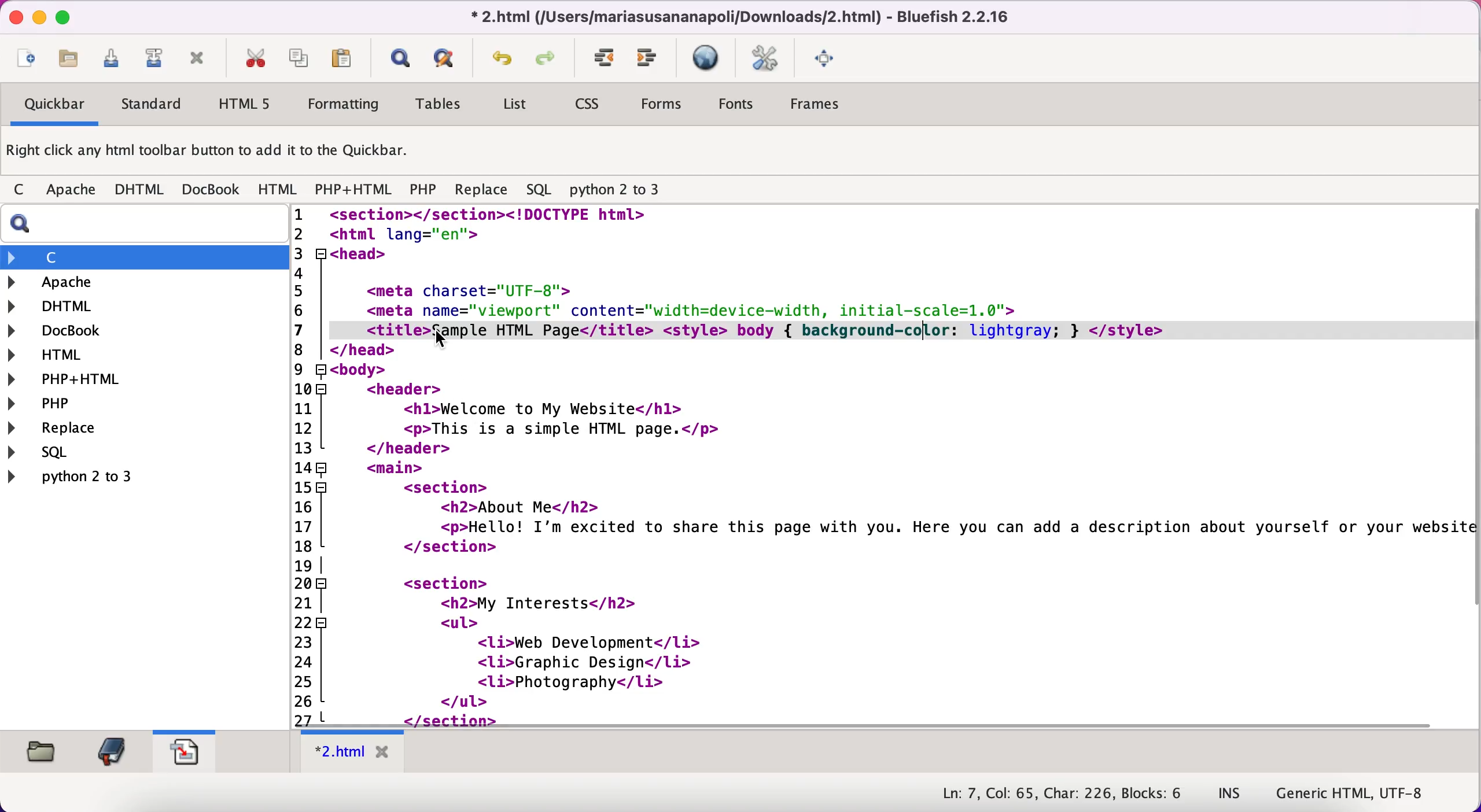  What do you see at coordinates (443, 105) in the screenshot?
I see `tables` at bounding box center [443, 105].